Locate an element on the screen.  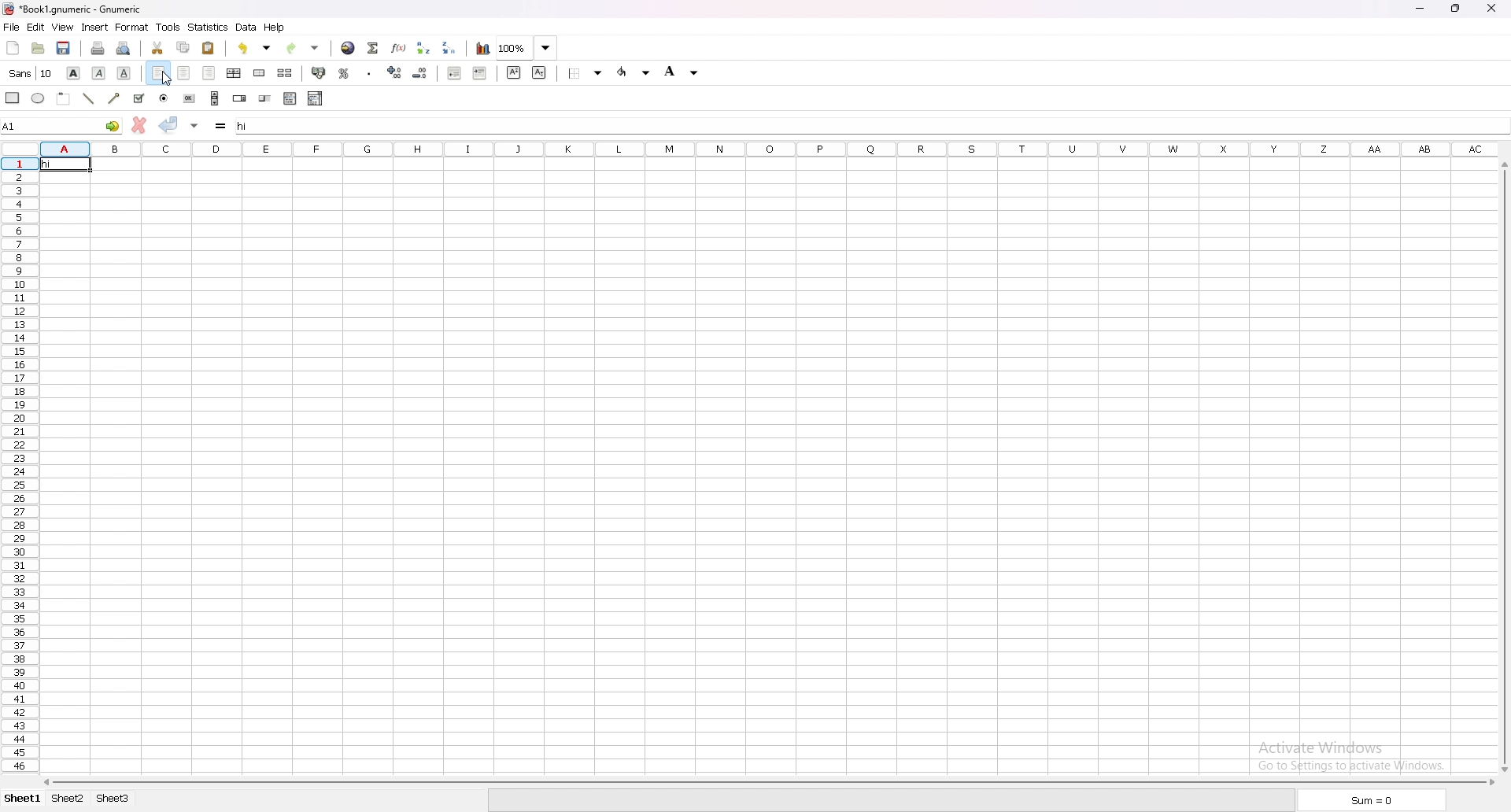
borders is located at coordinates (588, 73).